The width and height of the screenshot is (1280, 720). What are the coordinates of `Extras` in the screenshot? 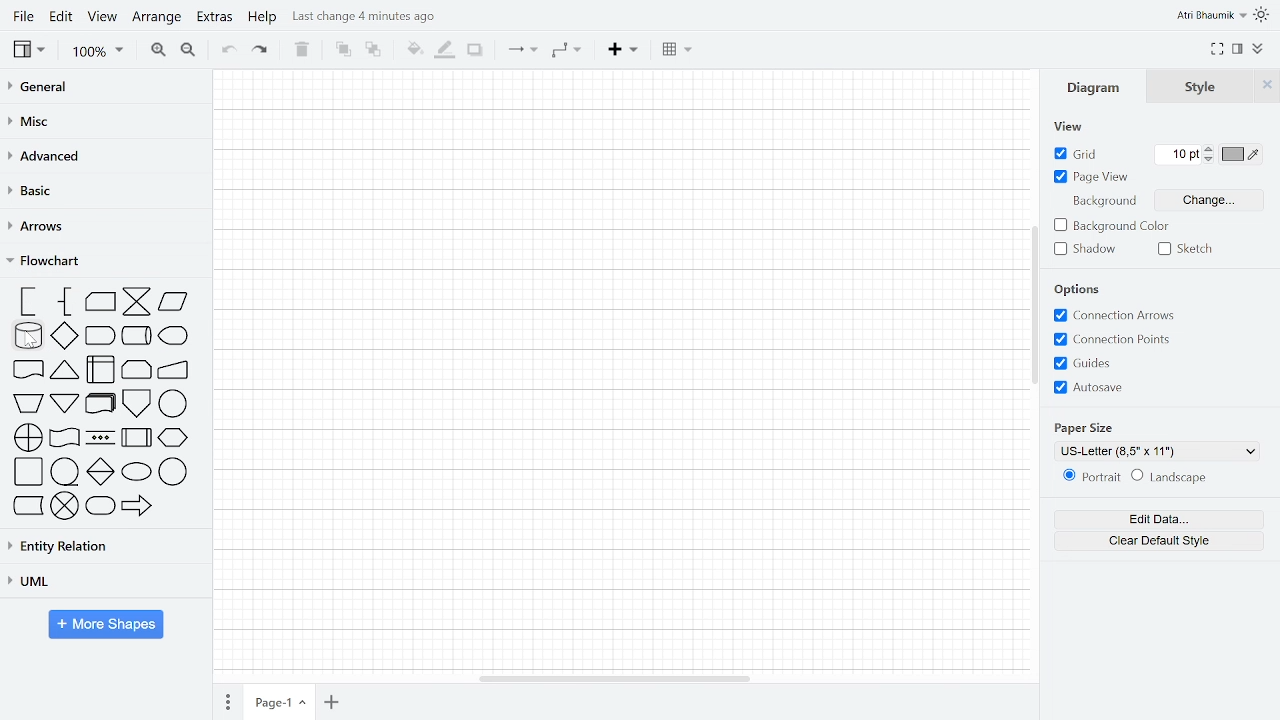 It's located at (214, 20).